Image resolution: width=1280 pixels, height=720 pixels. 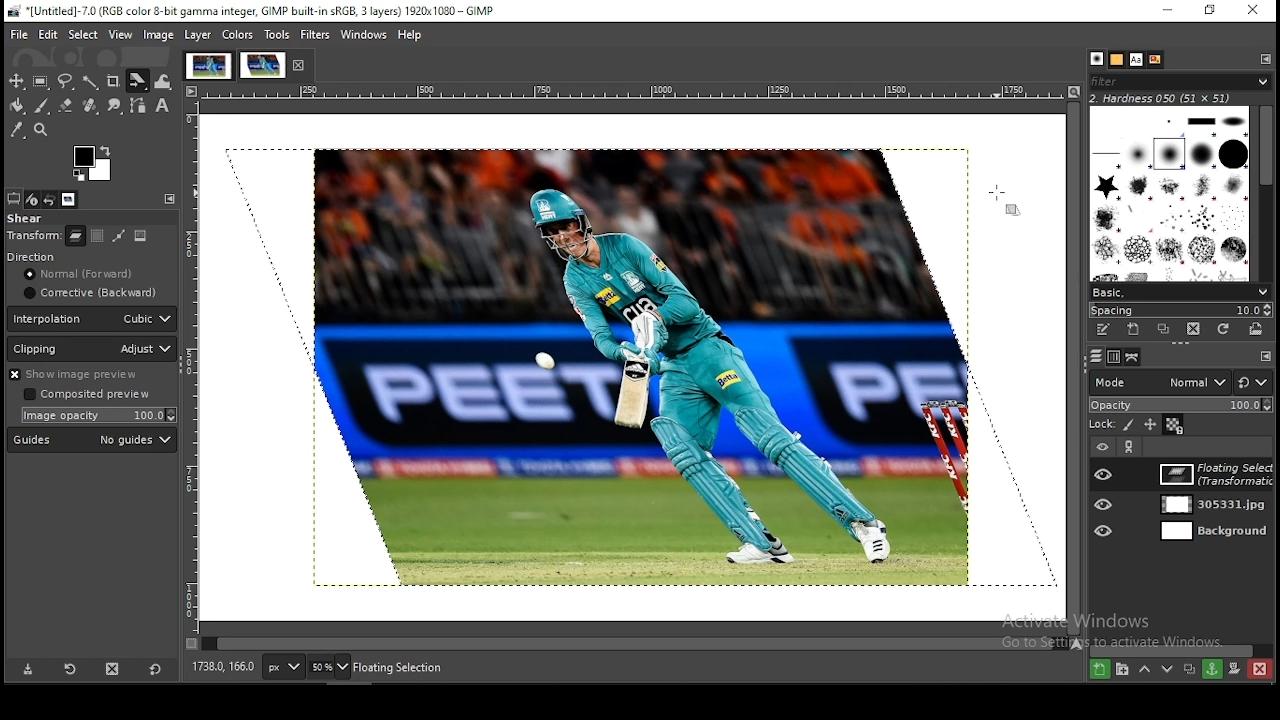 What do you see at coordinates (1002, 200) in the screenshot?
I see `mouse pointer` at bounding box center [1002, 200].